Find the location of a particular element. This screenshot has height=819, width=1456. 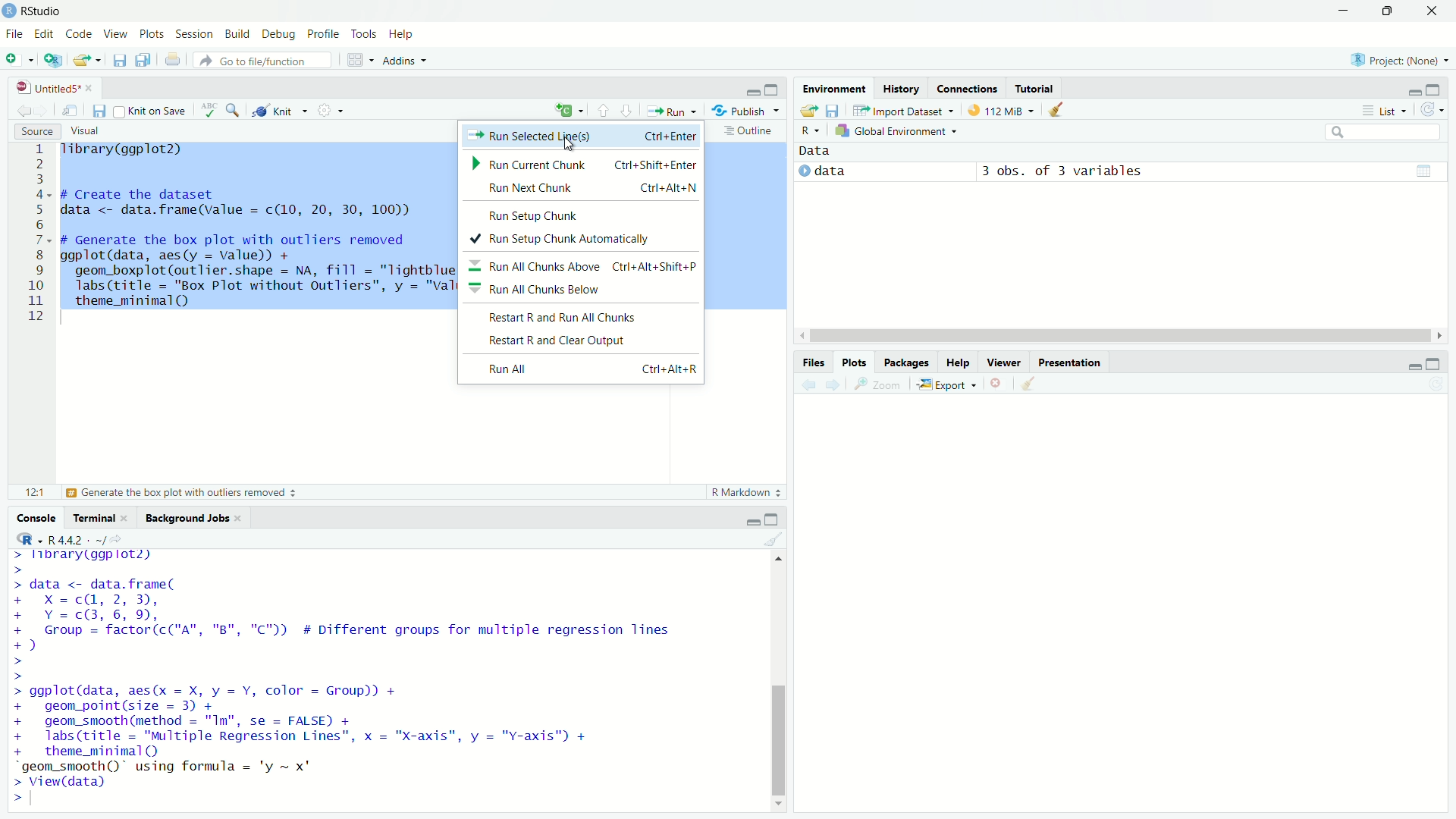

files is located at coordinates (96, 112).